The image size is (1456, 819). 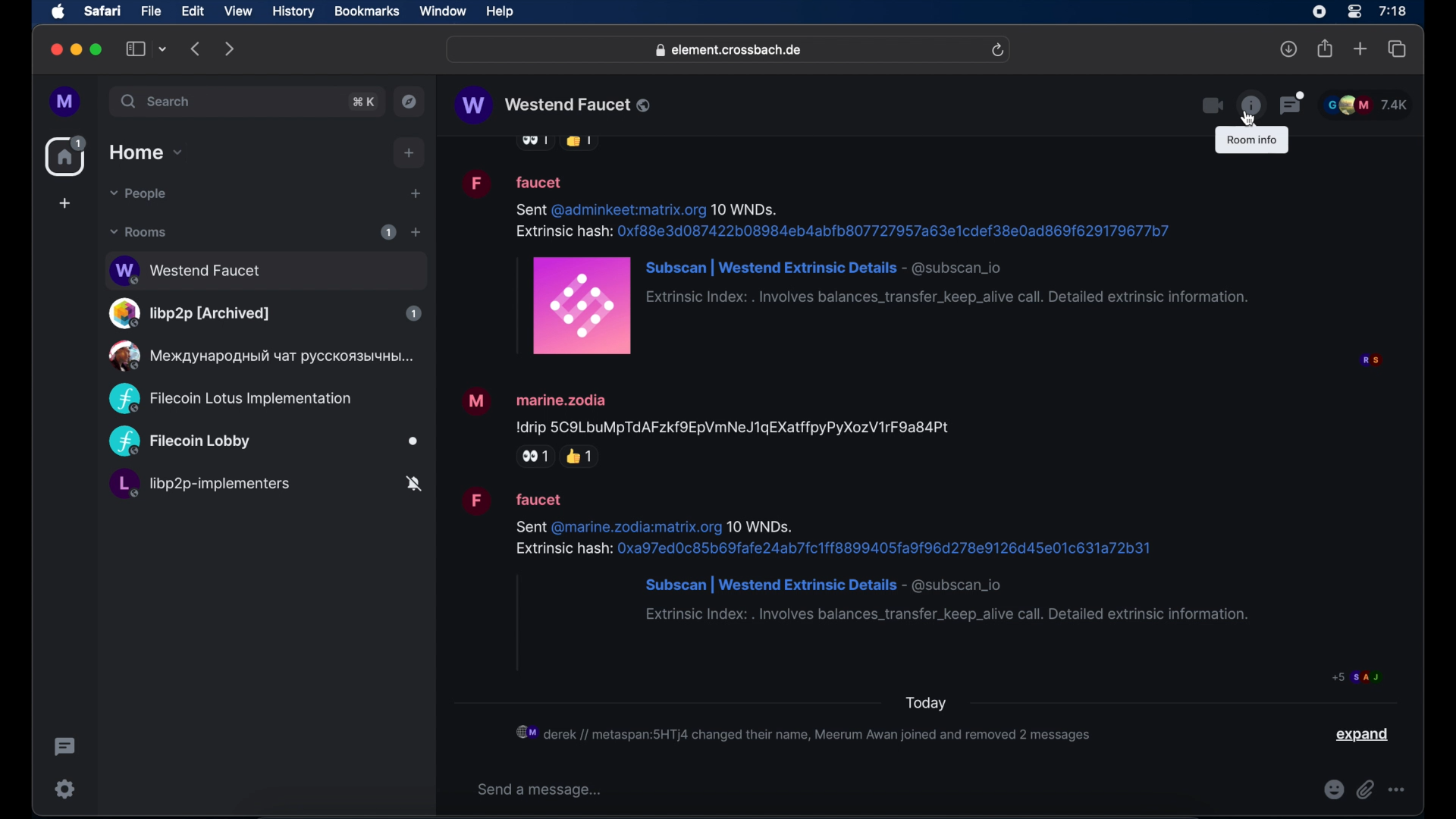 What do you see at coordinates (64, 203) in the screenshot?
I see `create space` at bounding box center [64, 203].